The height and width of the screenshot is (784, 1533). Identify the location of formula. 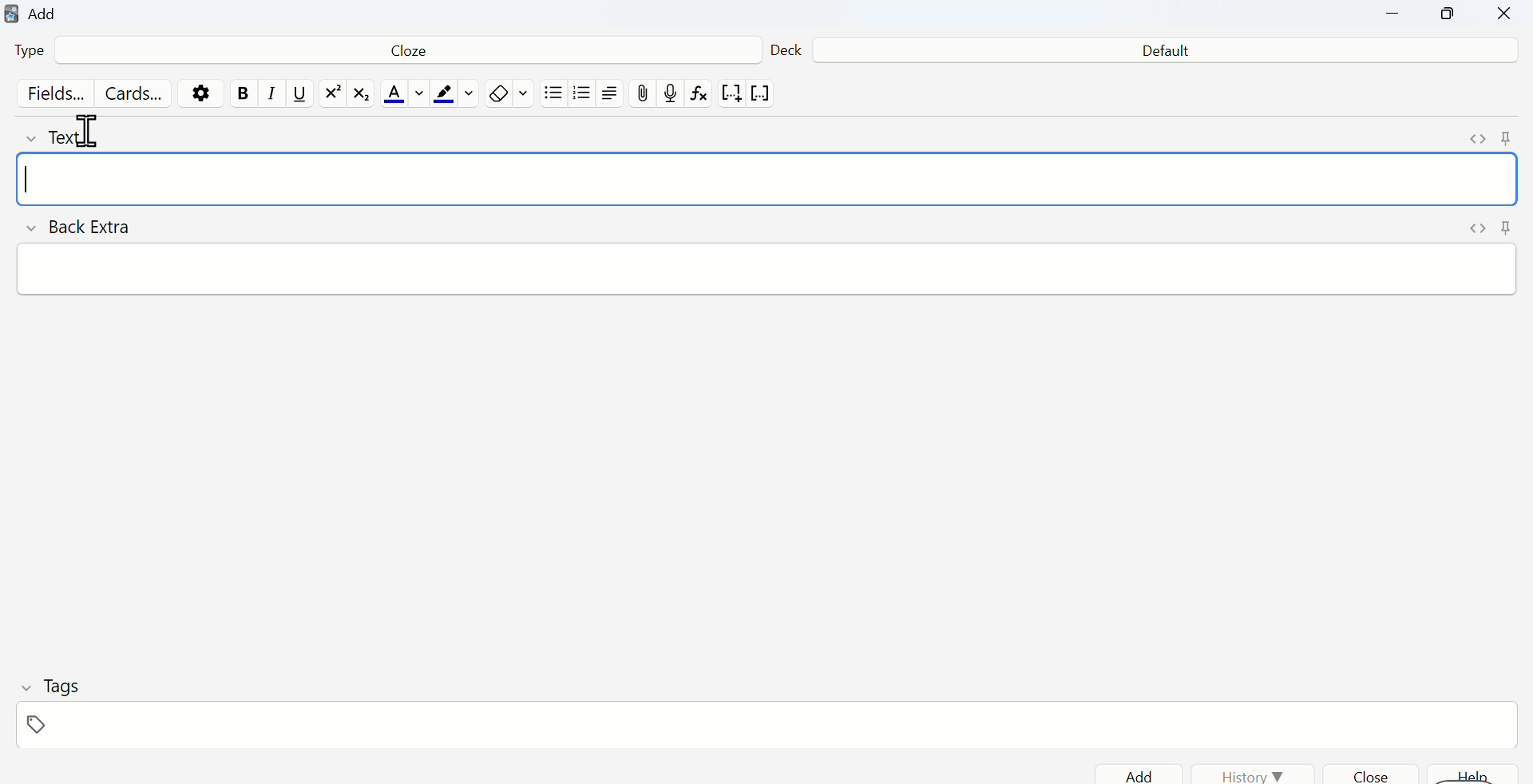
(701, 97).